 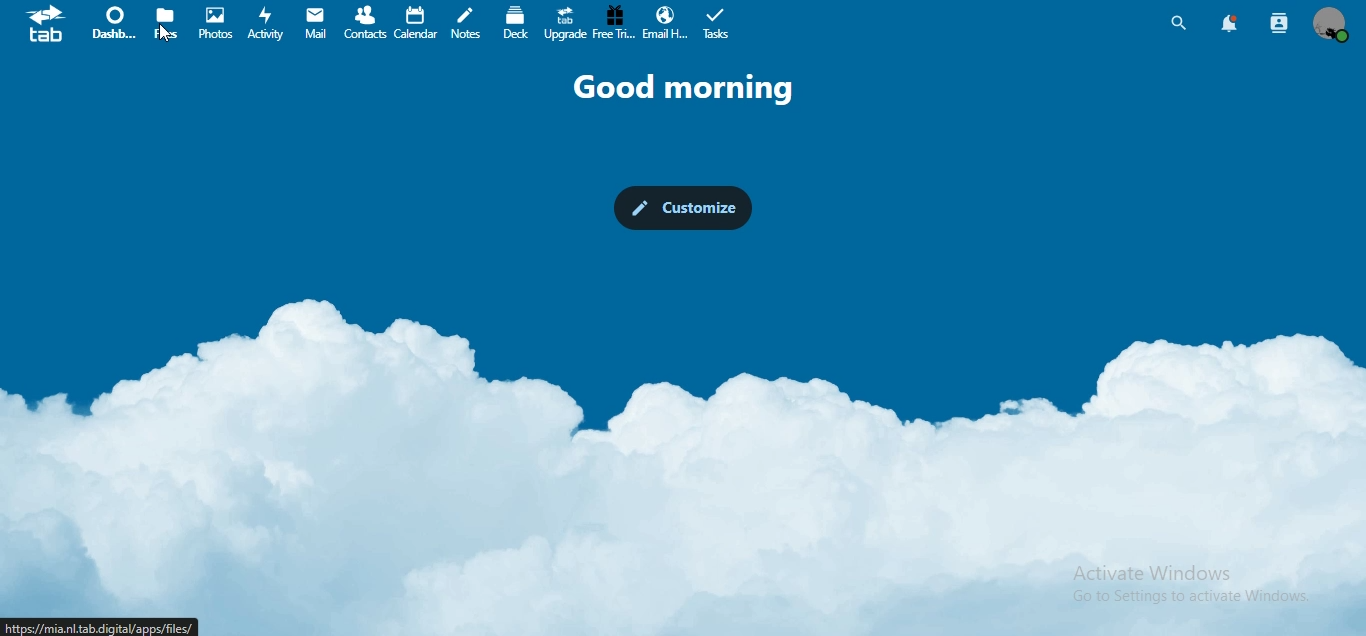 What do you see at coordinates (363, 23) in the screenshot?
I see `contacts` at bounding box center [363, 23].